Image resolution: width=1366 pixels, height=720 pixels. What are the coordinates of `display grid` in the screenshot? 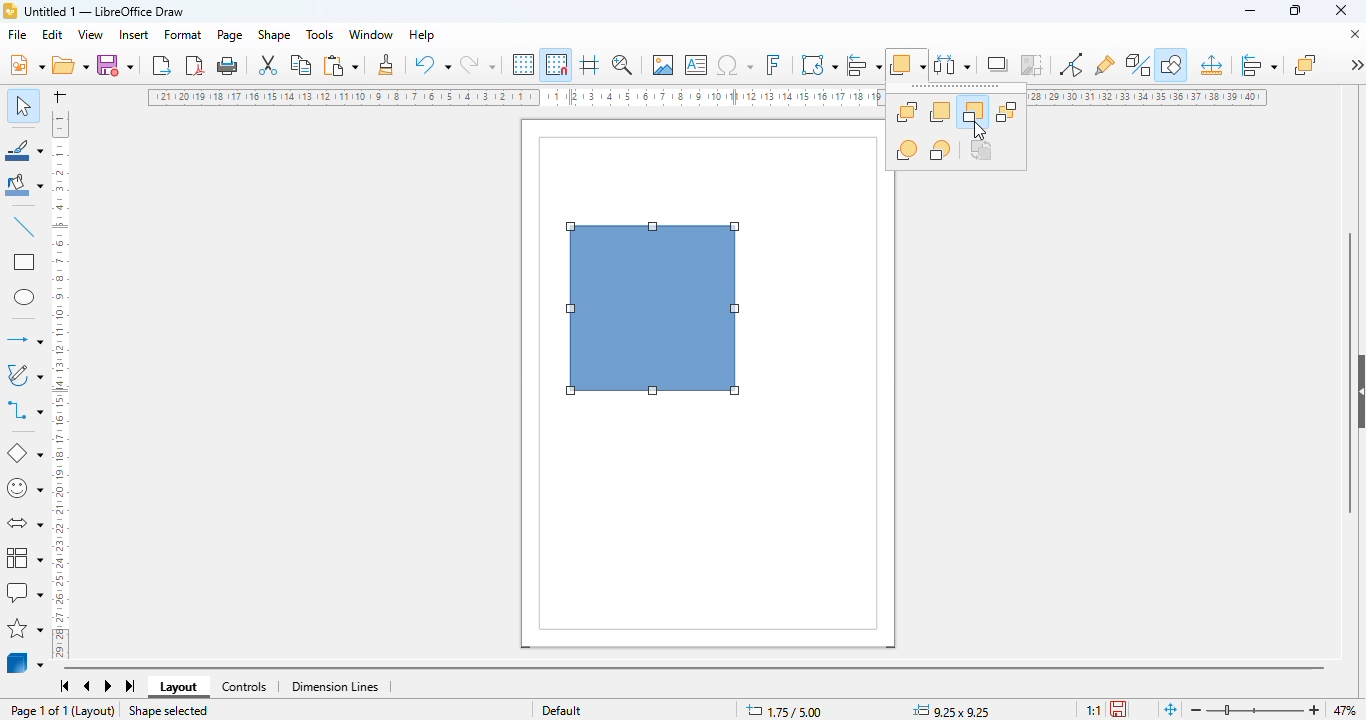 It's located at (524, 64).